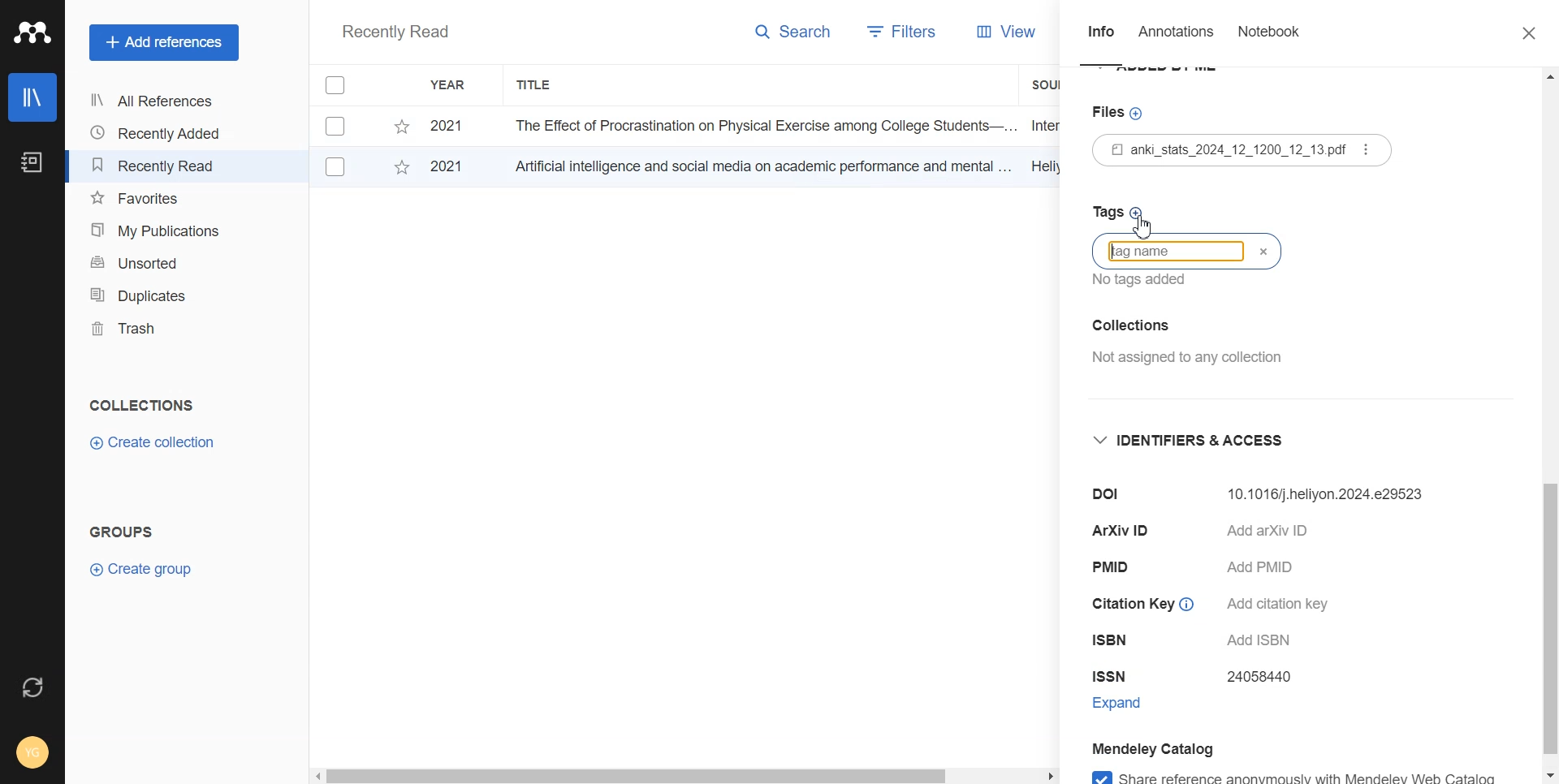 The image size is (1559, 784). Describe the element at coordinates (126, 532) in the screenshot. I see `Groups` at that location.